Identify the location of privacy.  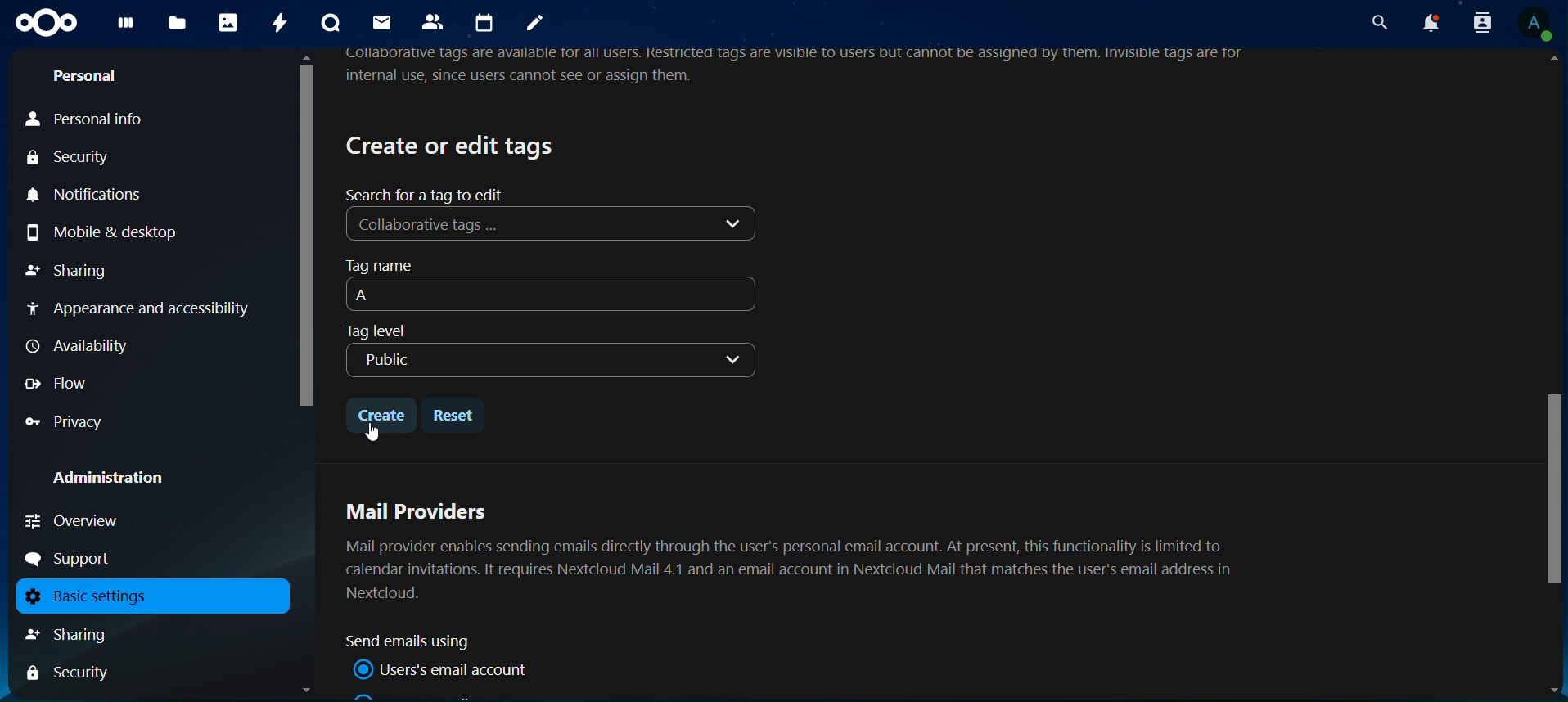
(65, 422).